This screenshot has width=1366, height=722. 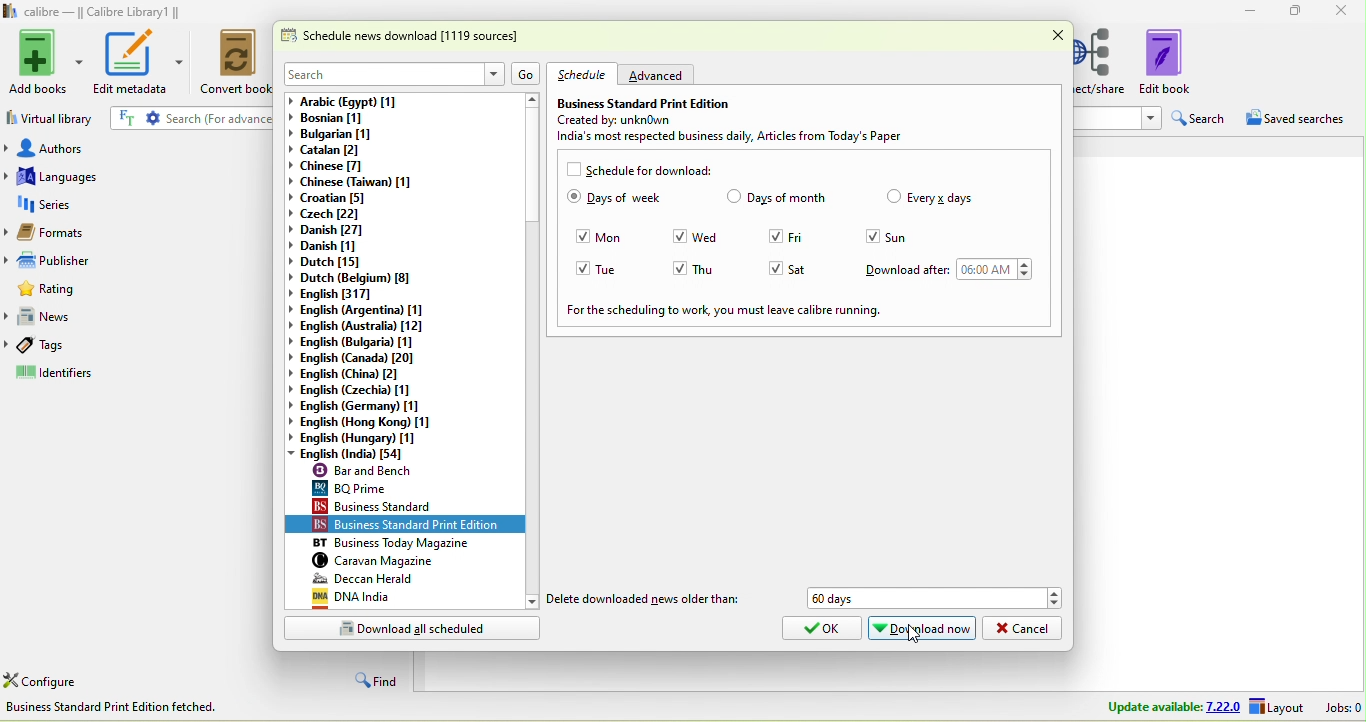 What do you see at coordinates (357, 310) in the screenshot?
I see `english (argentina)[1]` at bounding box center [357, 310].